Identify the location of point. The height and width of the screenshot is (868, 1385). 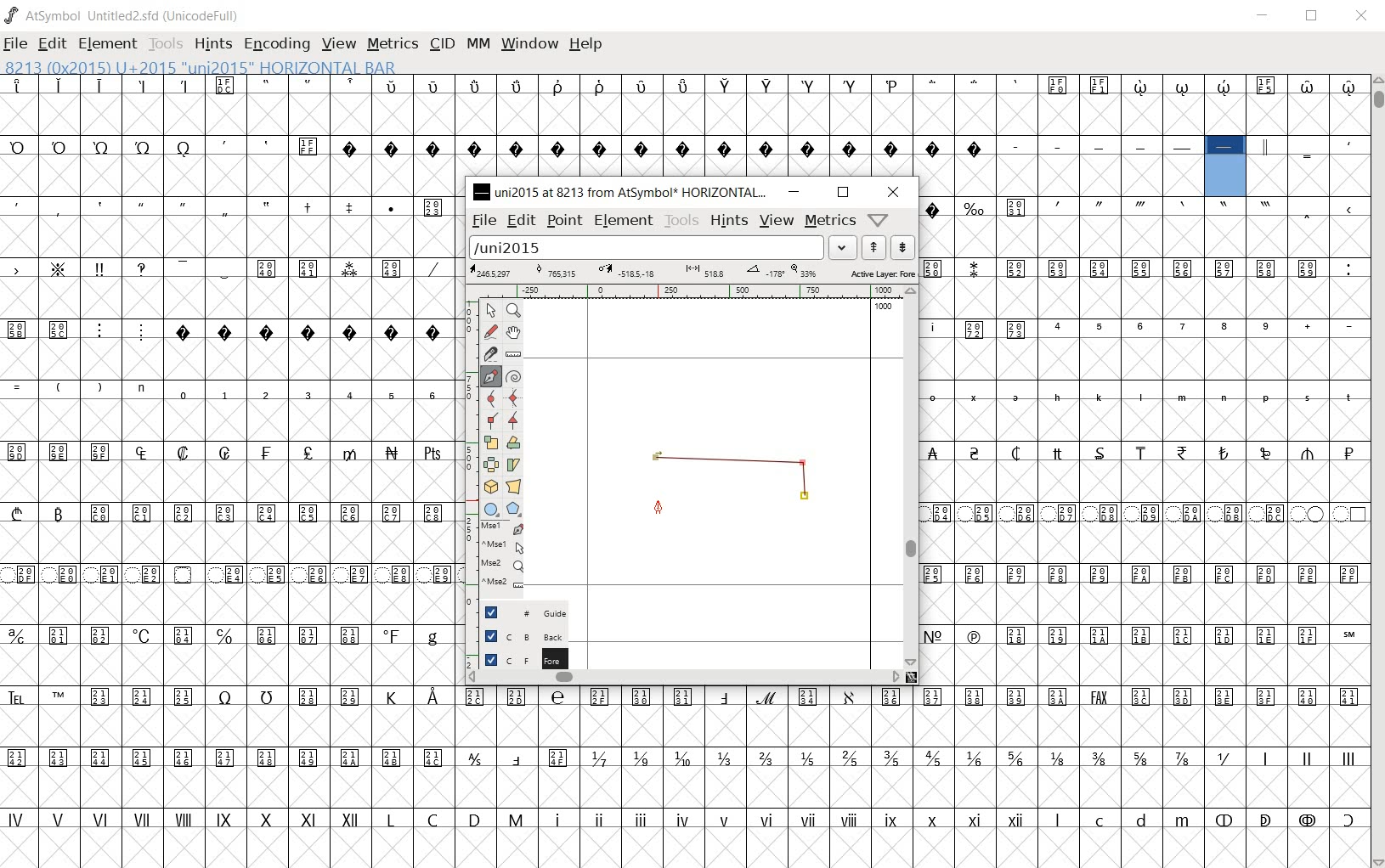
(566, 223).